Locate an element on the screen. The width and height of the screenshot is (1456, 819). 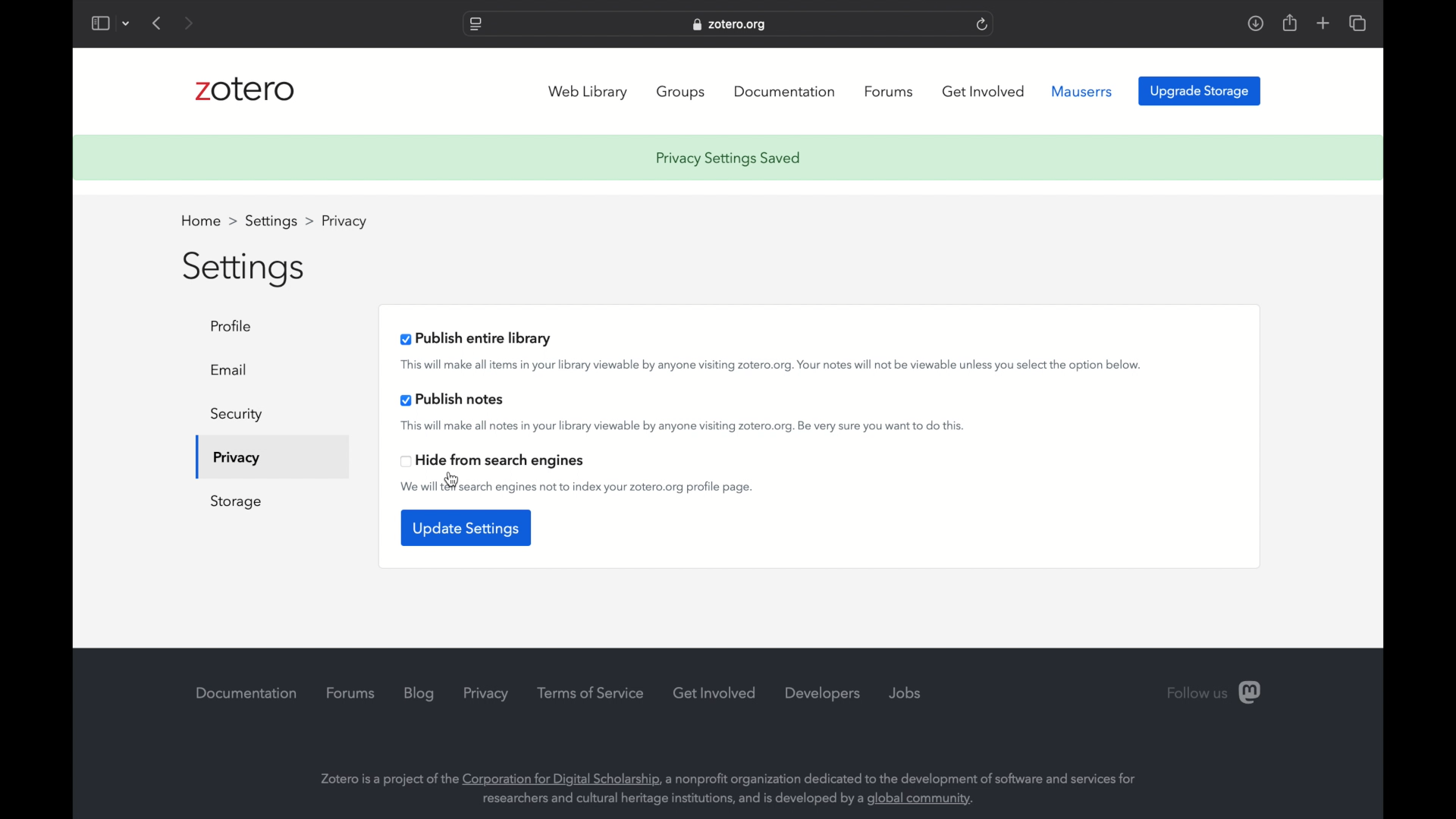
documentation is located at coordinates (250, 691).